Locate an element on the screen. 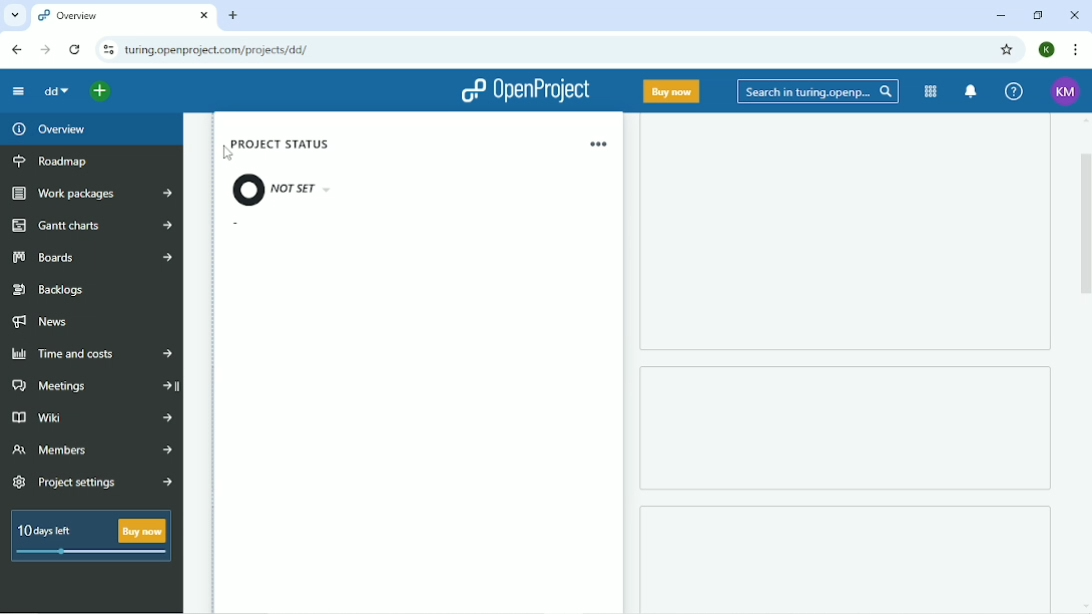 The width and height of the screenshot is (1092, 614). Cursor is located at coordinates (226, 154).